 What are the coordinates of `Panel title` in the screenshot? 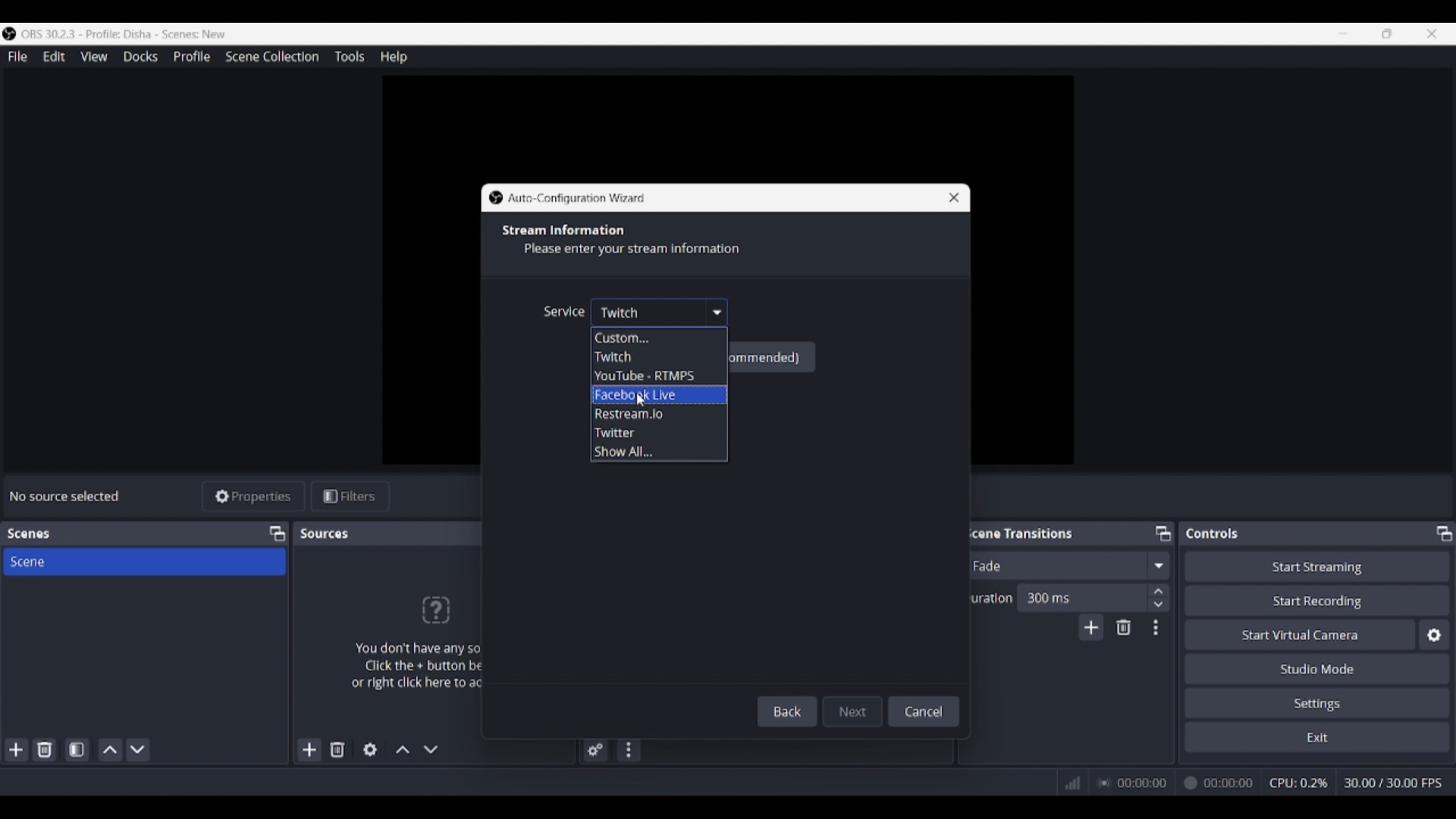 It's located at (29, 534).